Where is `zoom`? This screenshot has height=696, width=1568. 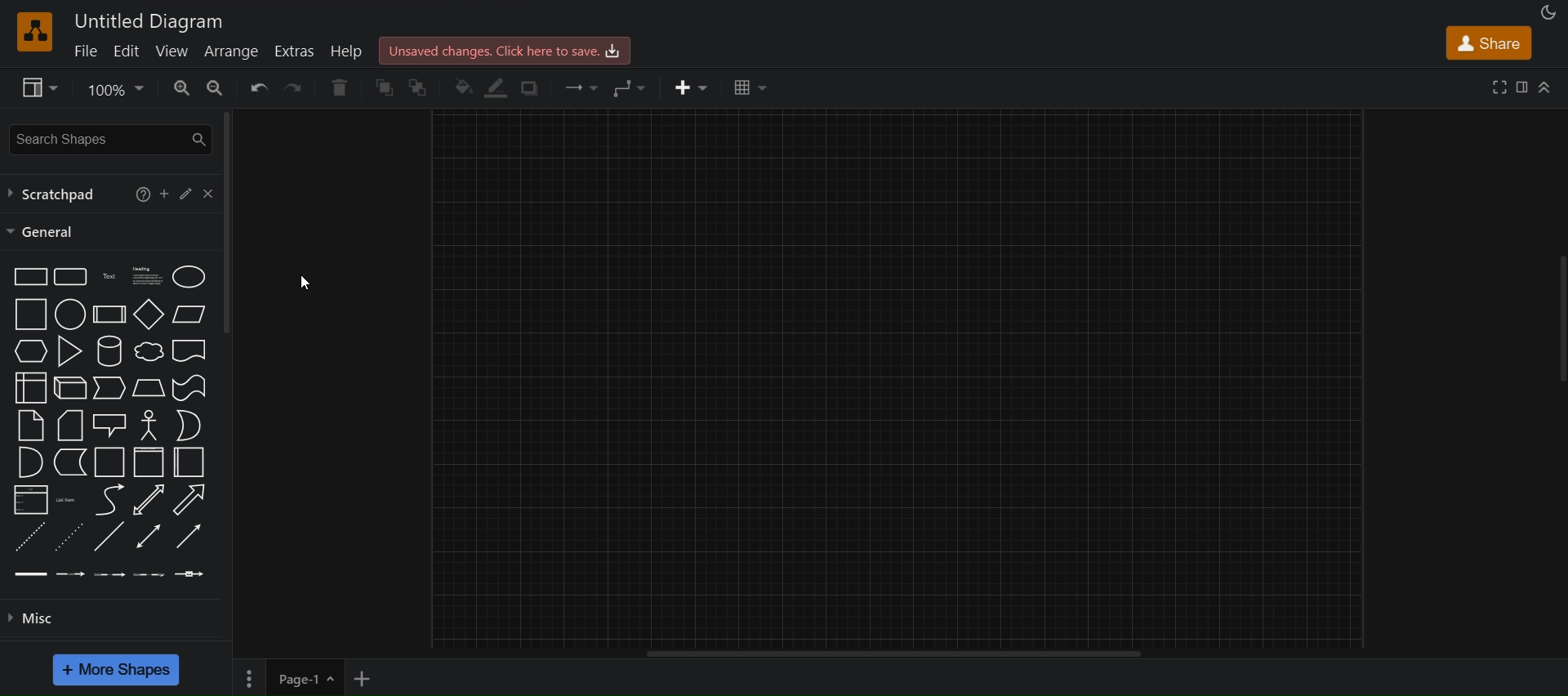
zoom is located at coordinates (114, 90).